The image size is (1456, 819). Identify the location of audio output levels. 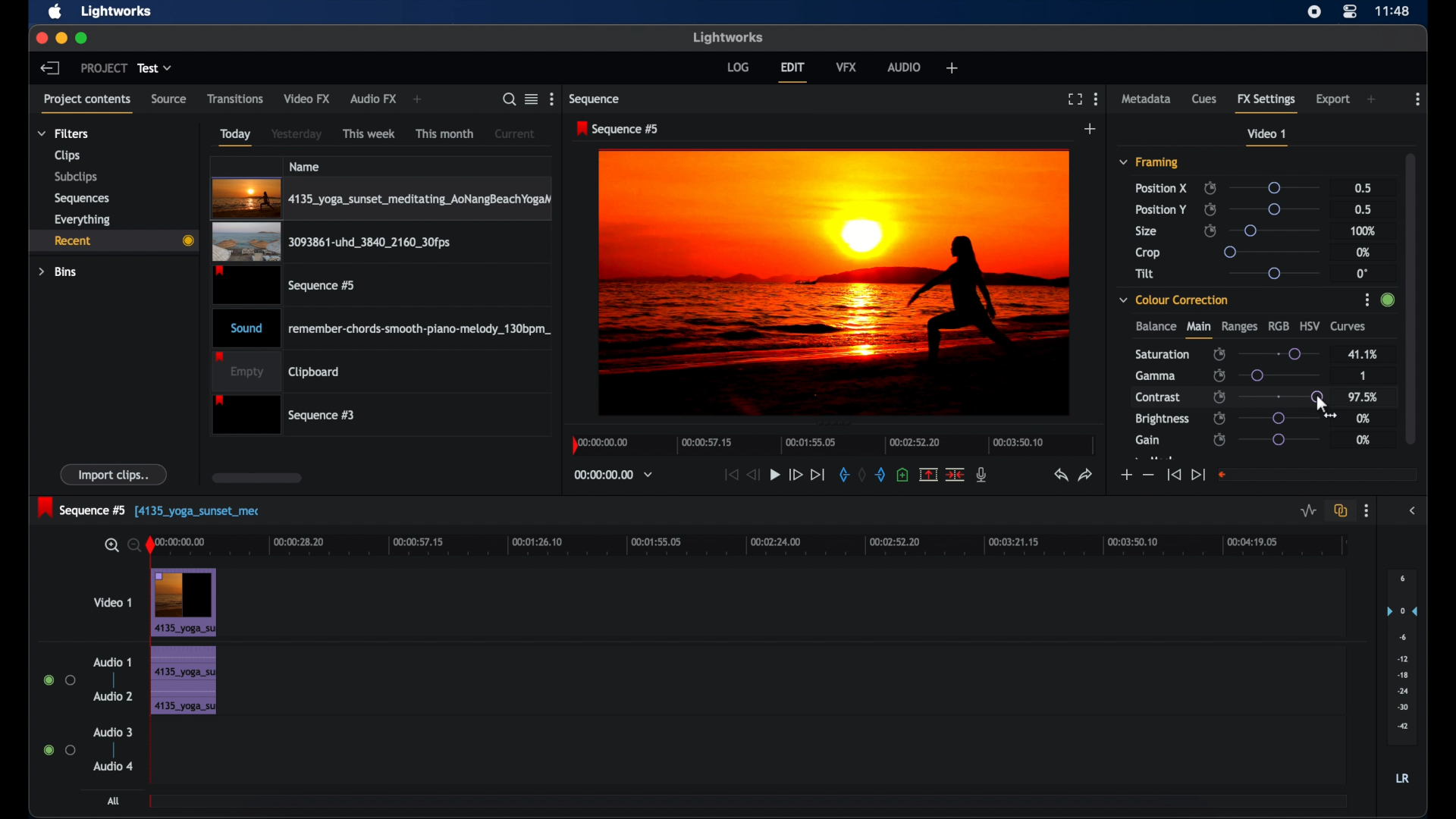
(1401, 657).